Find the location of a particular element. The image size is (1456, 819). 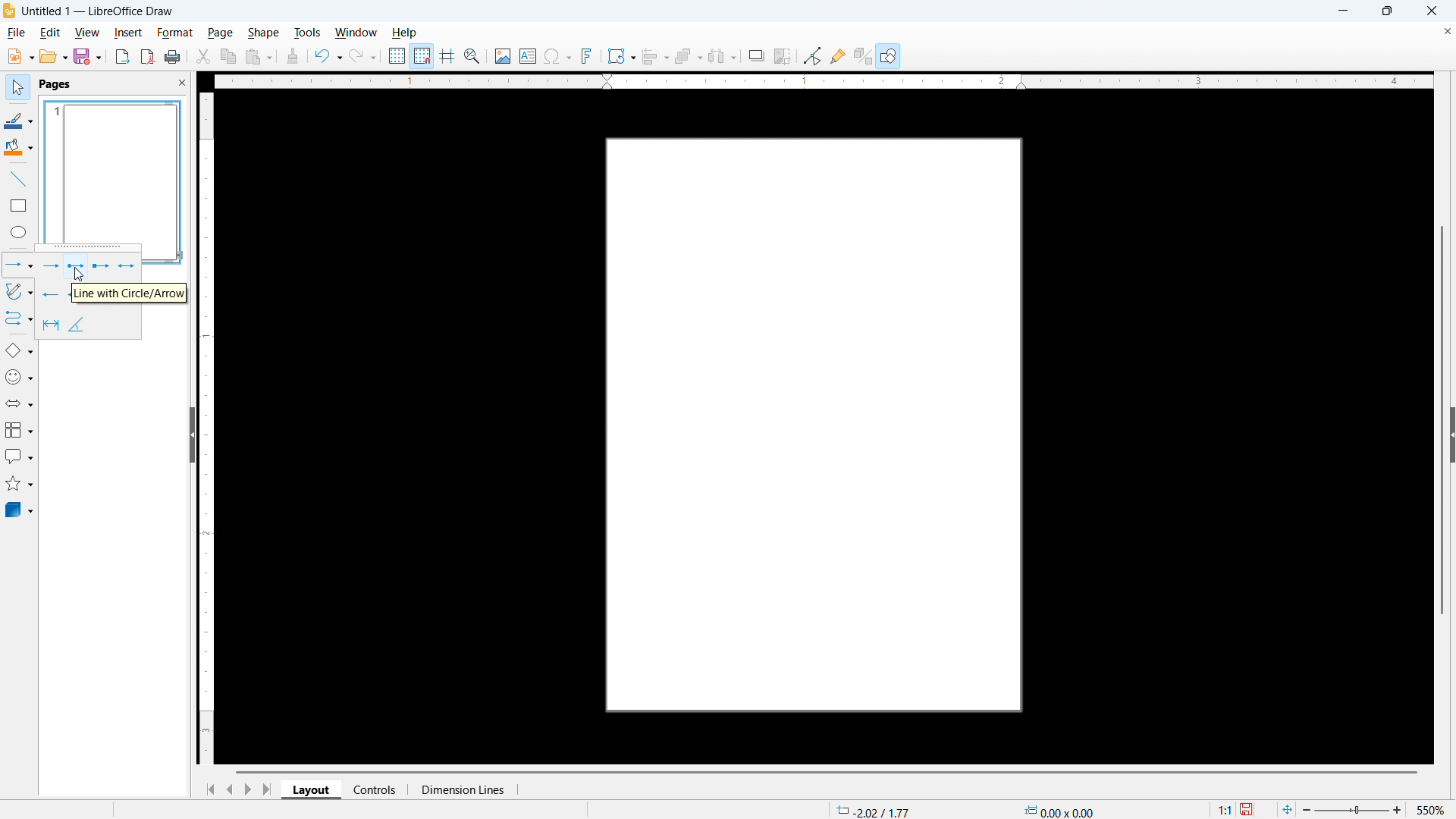

Cursor  is located at coordinates (78, 275).